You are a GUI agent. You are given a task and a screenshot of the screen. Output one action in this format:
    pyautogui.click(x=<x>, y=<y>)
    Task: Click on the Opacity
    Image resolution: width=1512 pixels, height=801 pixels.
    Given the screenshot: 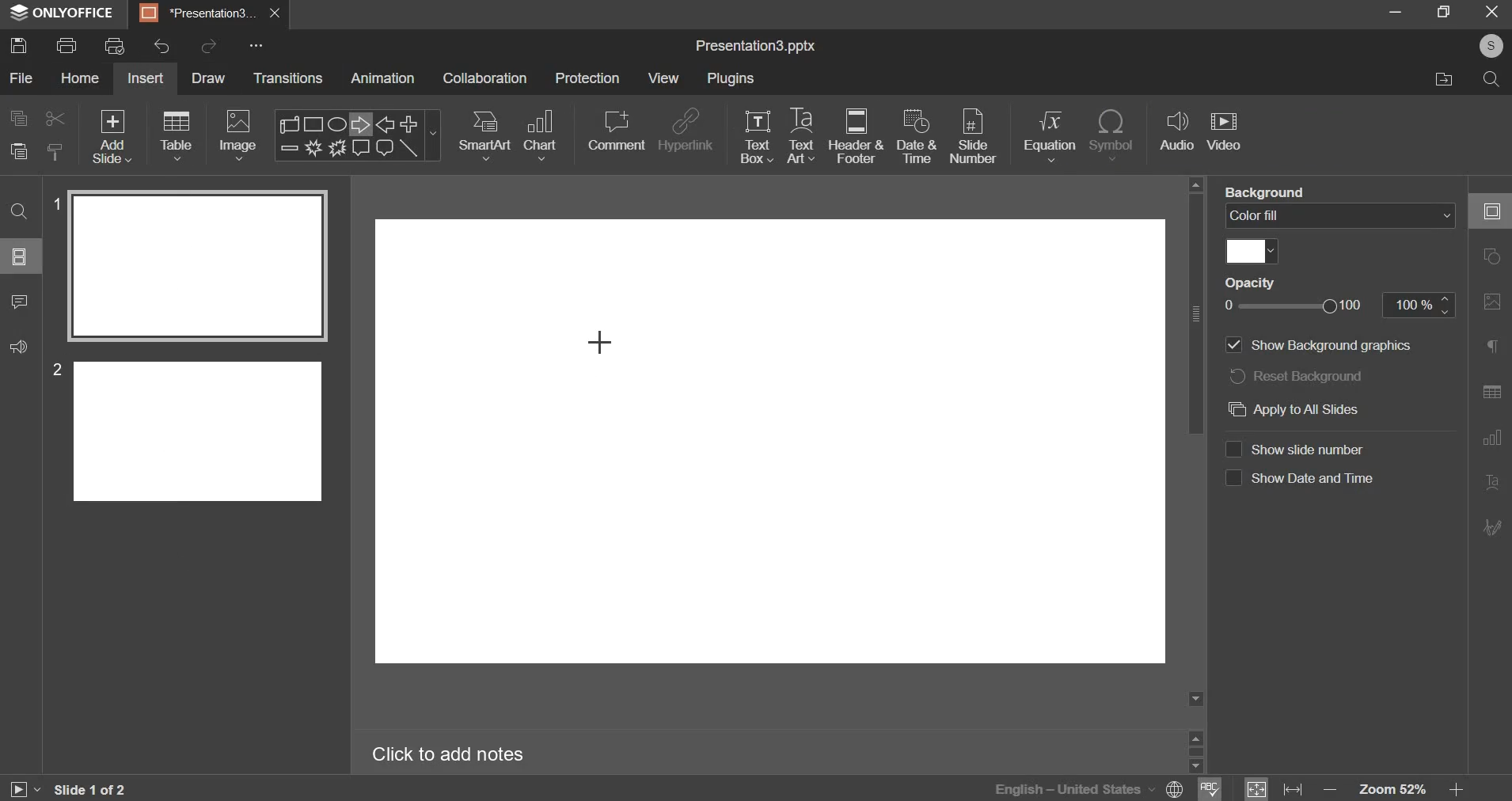 What is the action you would take?
    pyautogui.click(x=1250, y=282)
    